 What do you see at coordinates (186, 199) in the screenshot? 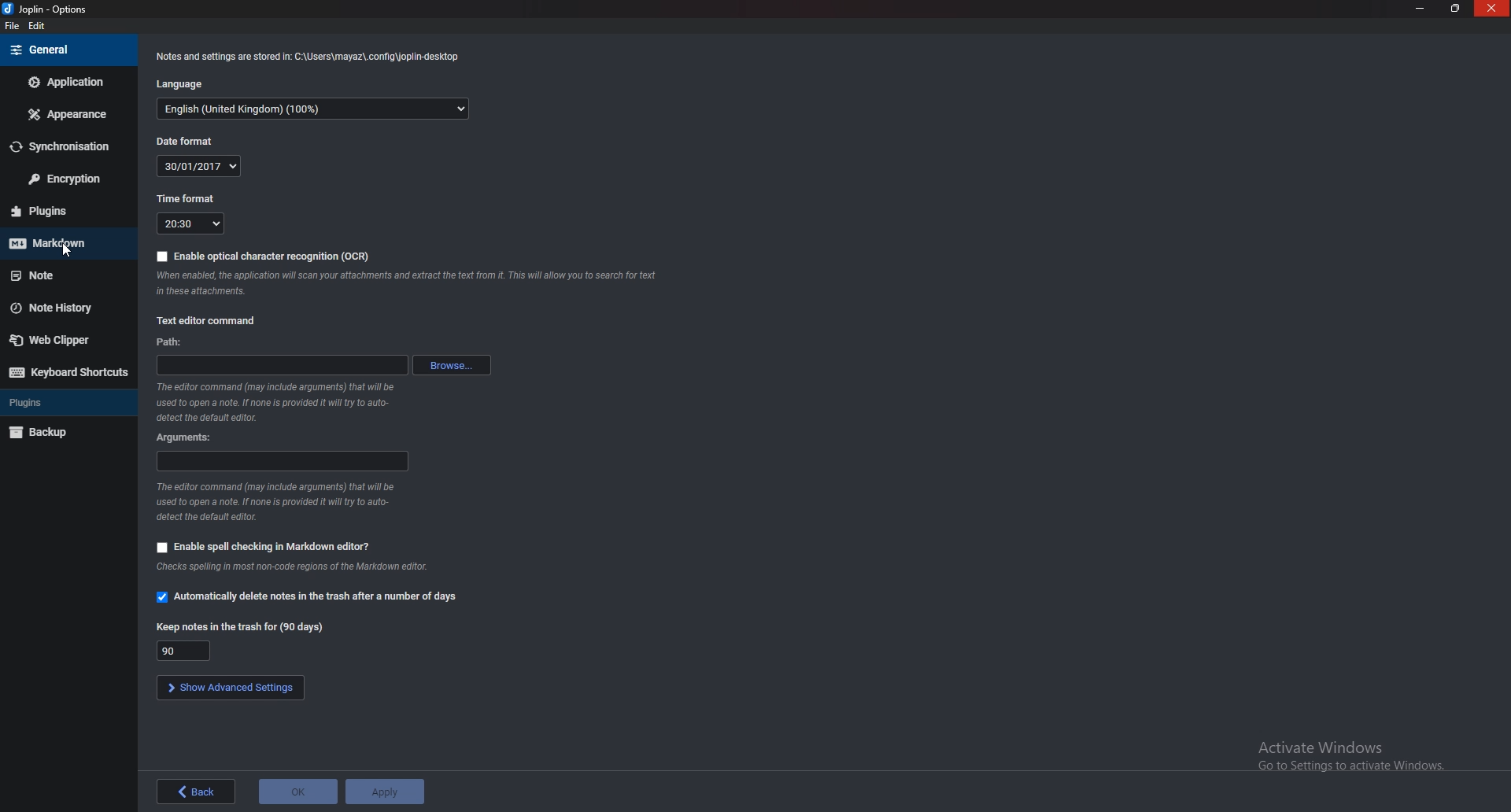
I see `Time format` at bounding box center [186, 199].